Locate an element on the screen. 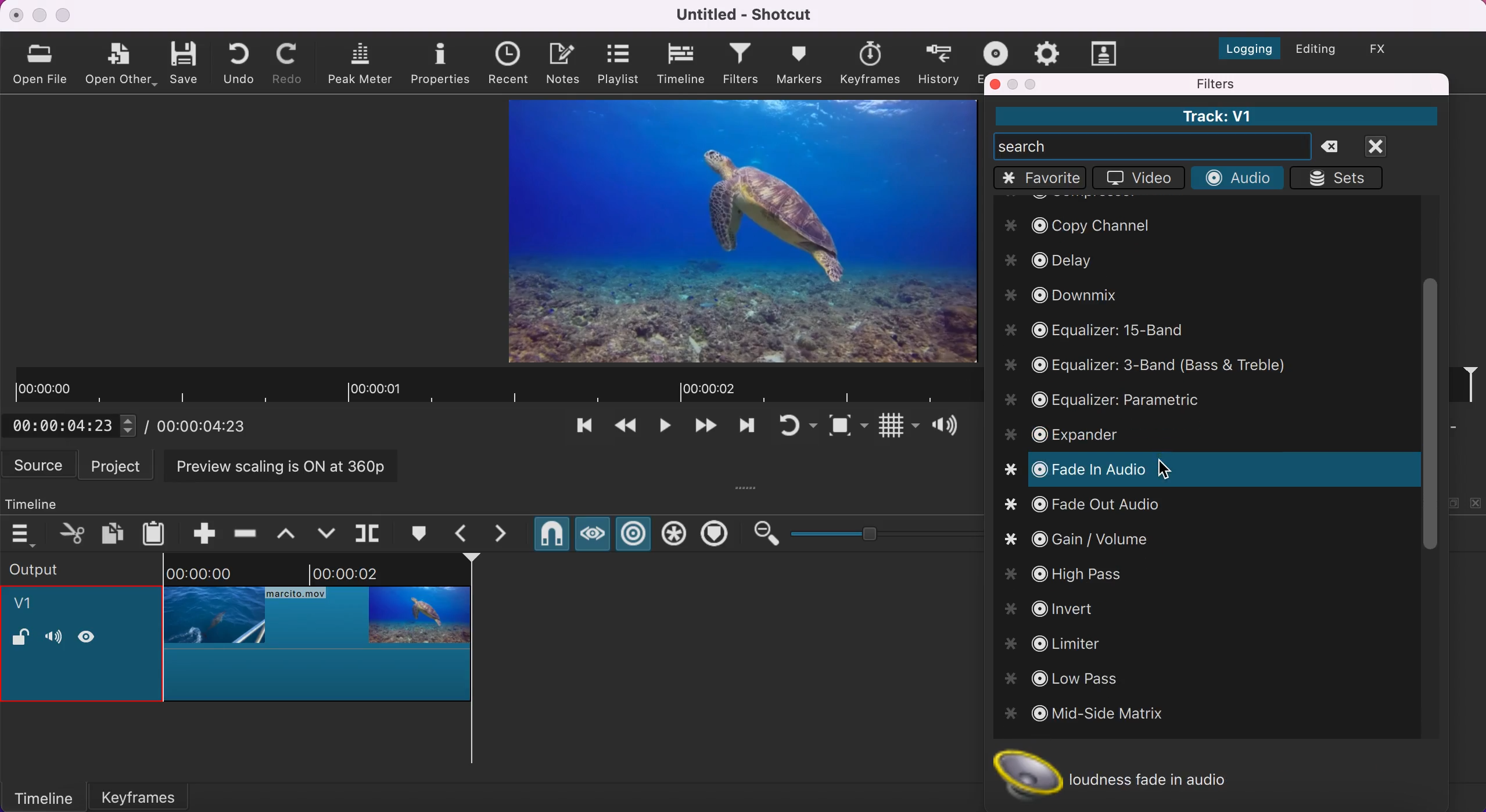 This screenshot has width=1486, height=812. sets is located at coordinates (1341, 178).